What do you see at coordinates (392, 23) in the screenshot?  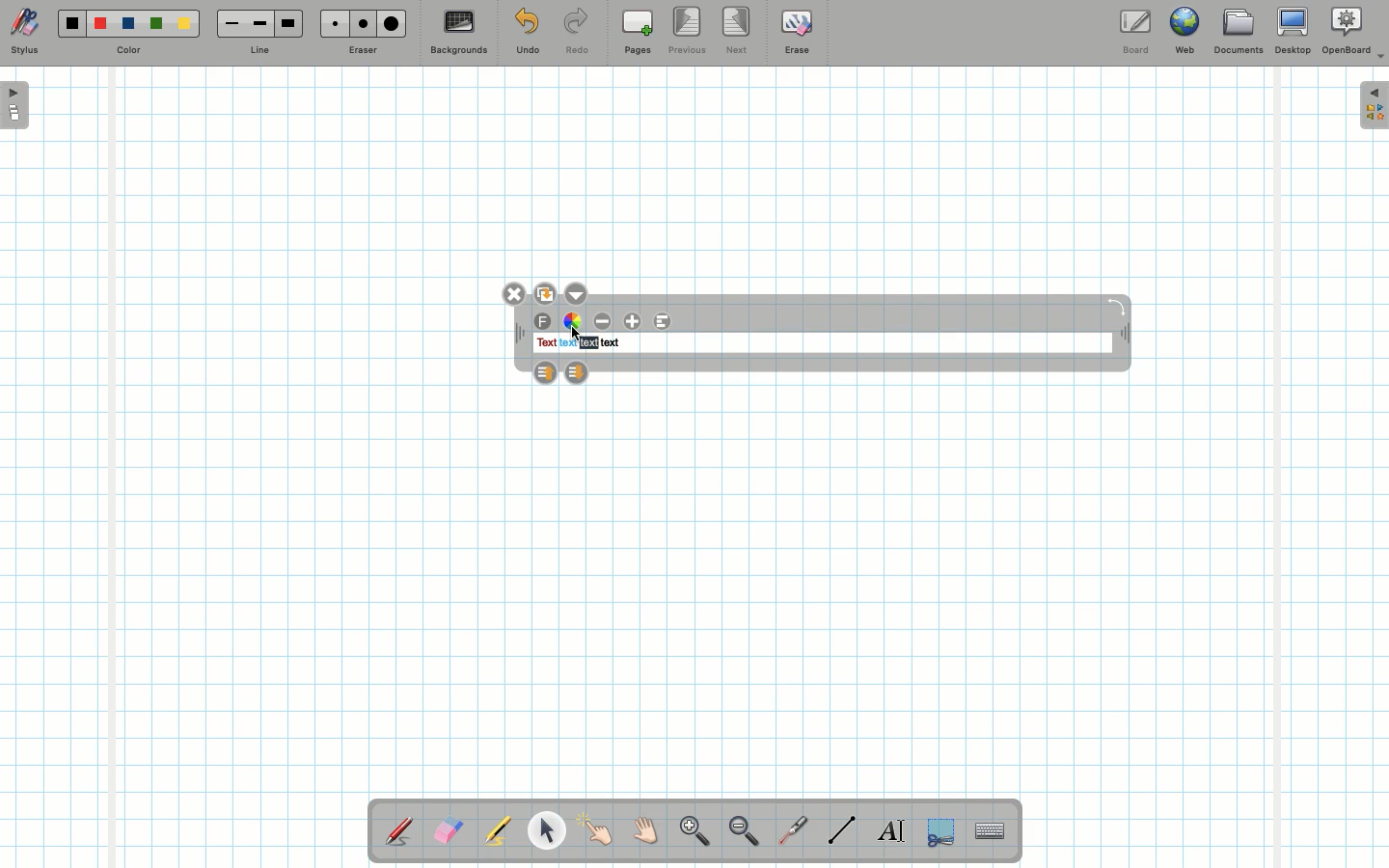 I see `Large eraser` at bounding box center [392, 23].